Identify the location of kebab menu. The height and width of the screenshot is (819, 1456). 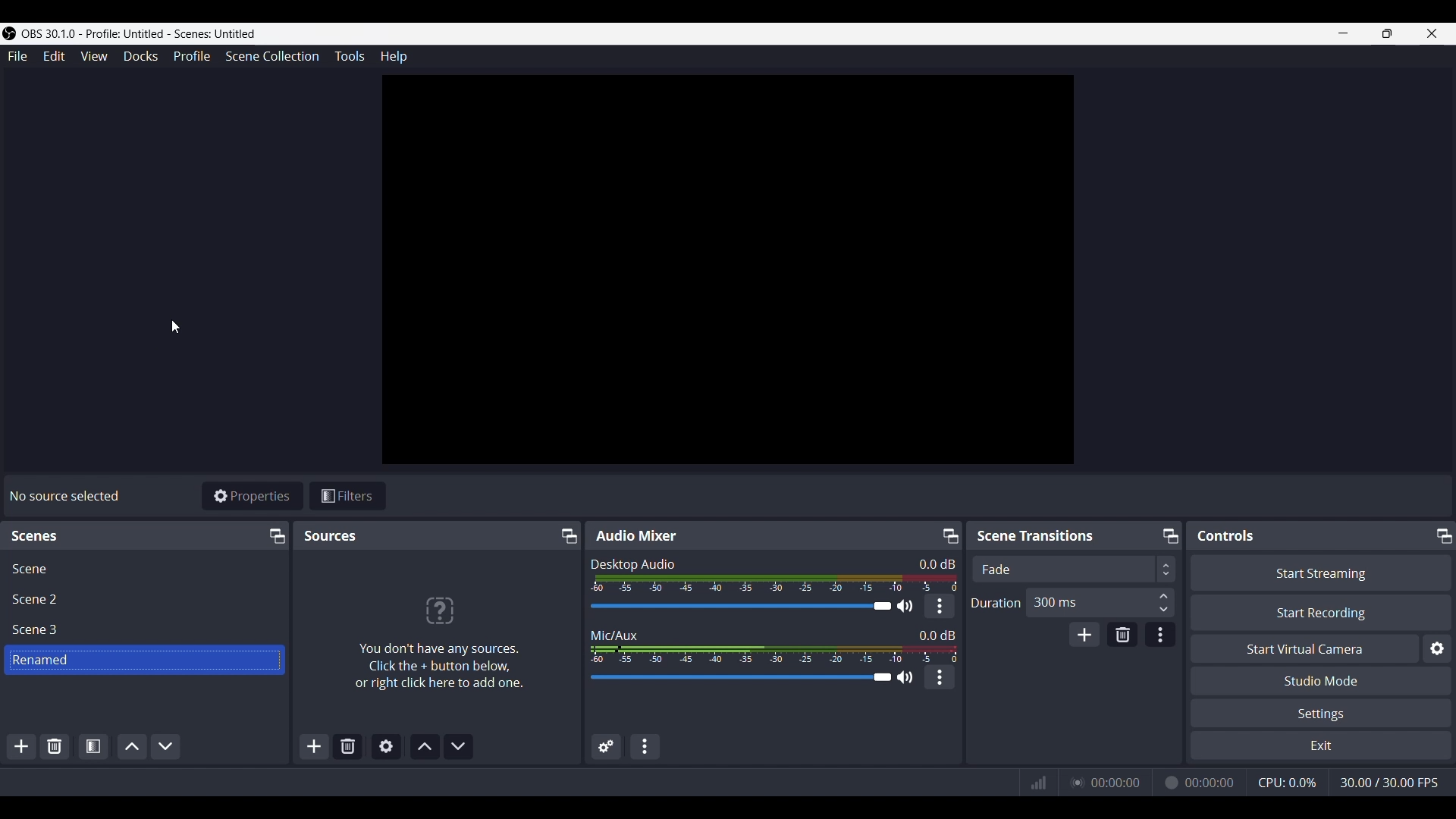
(940, 606).